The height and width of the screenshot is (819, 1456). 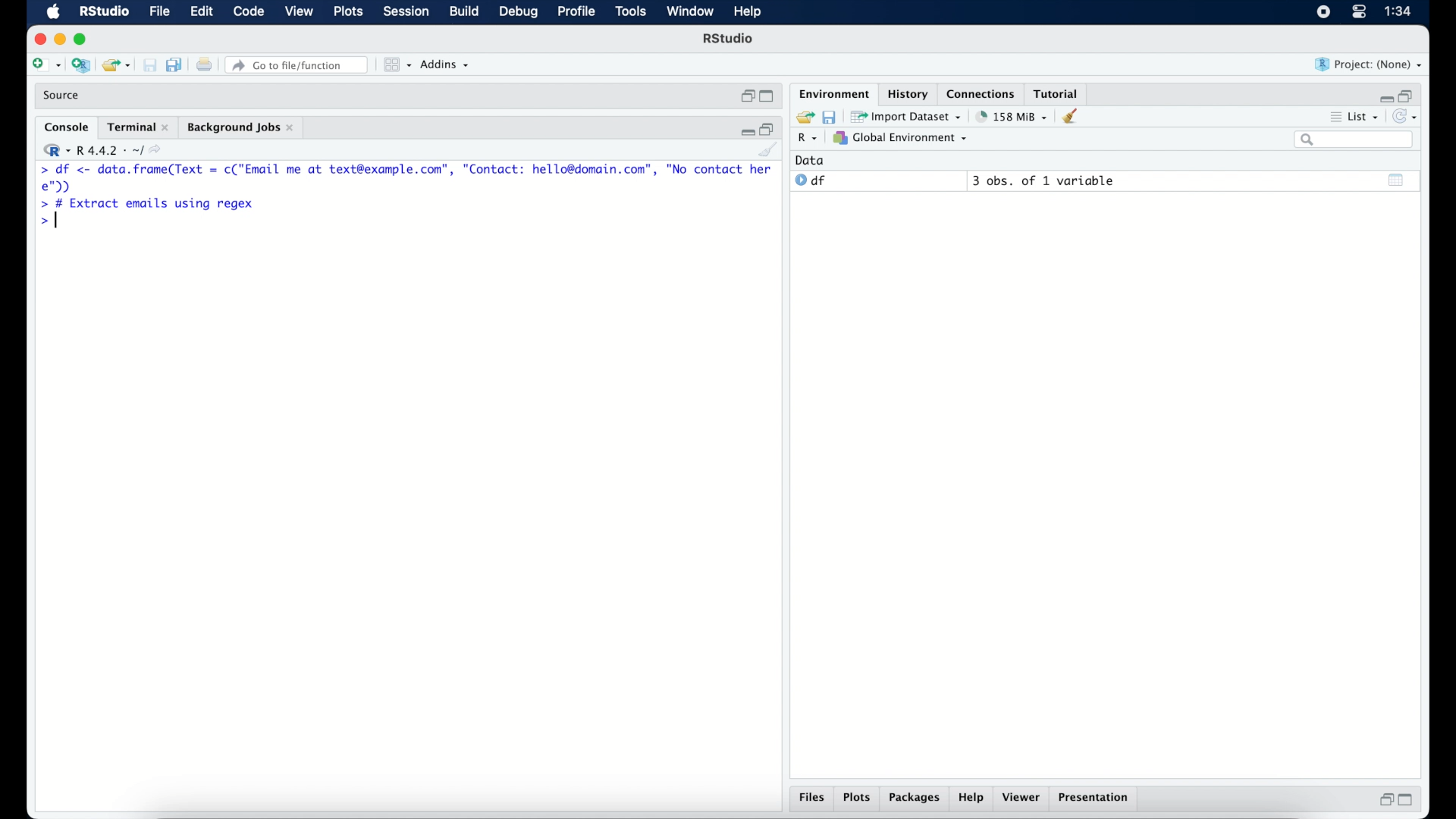 What do you see at coordinates (406, 12) in the screenshot?
I see `session` at bounding box center [406, 12].